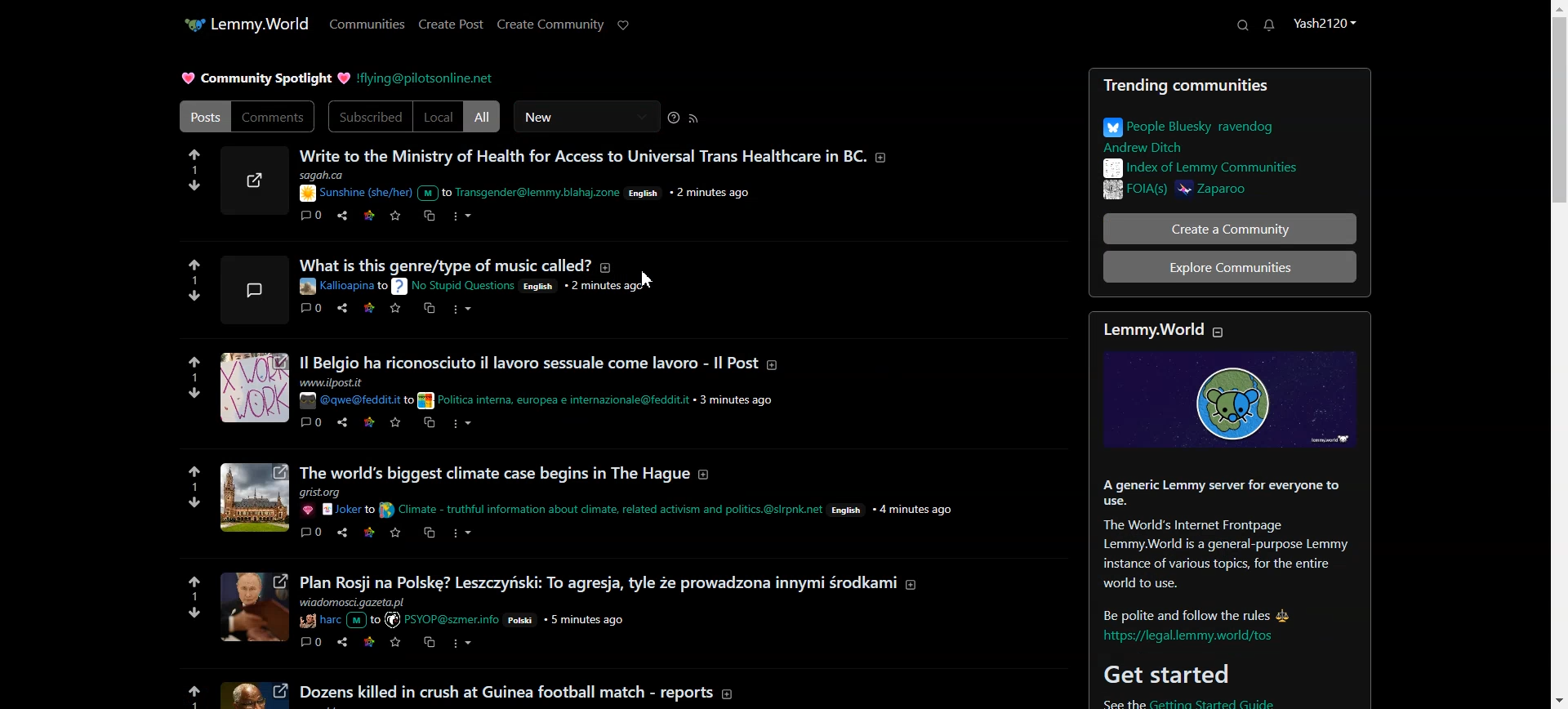 This screenshot has height=709, width=1568. Describe the element at coordinates (361, 602) in the screenshot. I see `text` at that location.